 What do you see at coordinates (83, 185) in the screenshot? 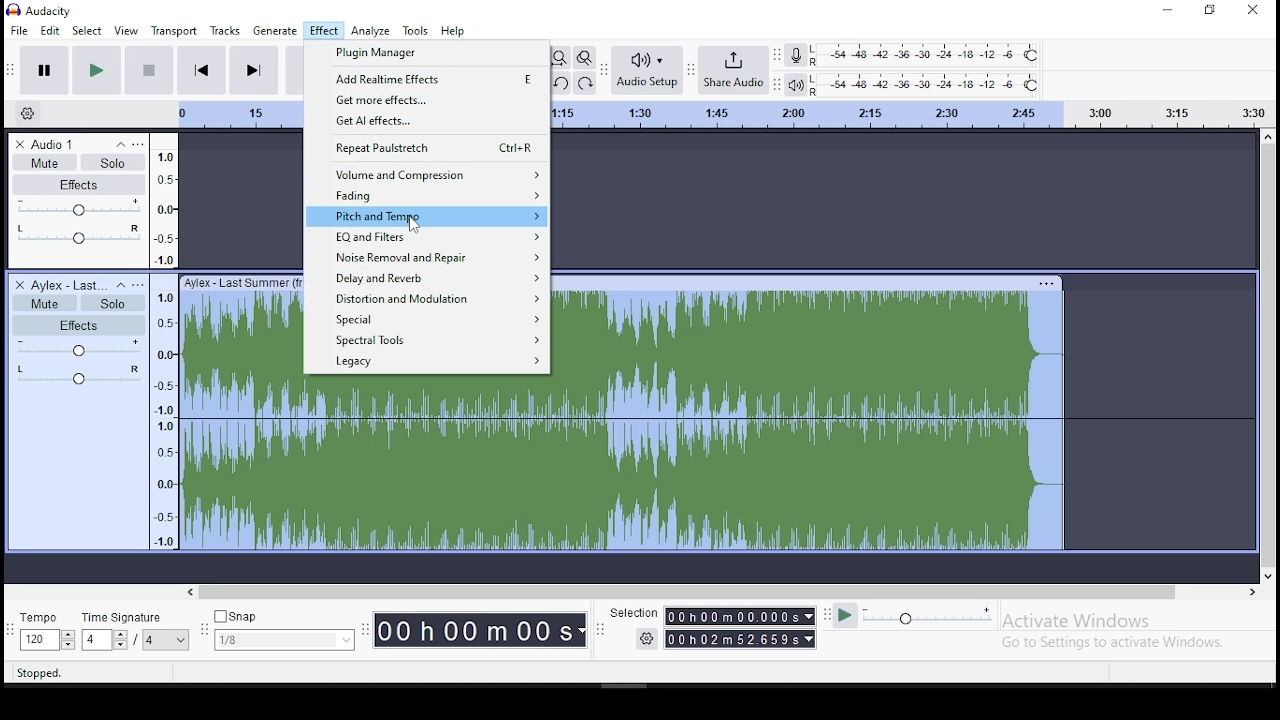
I see `effects` at bounding box center [83, 185].